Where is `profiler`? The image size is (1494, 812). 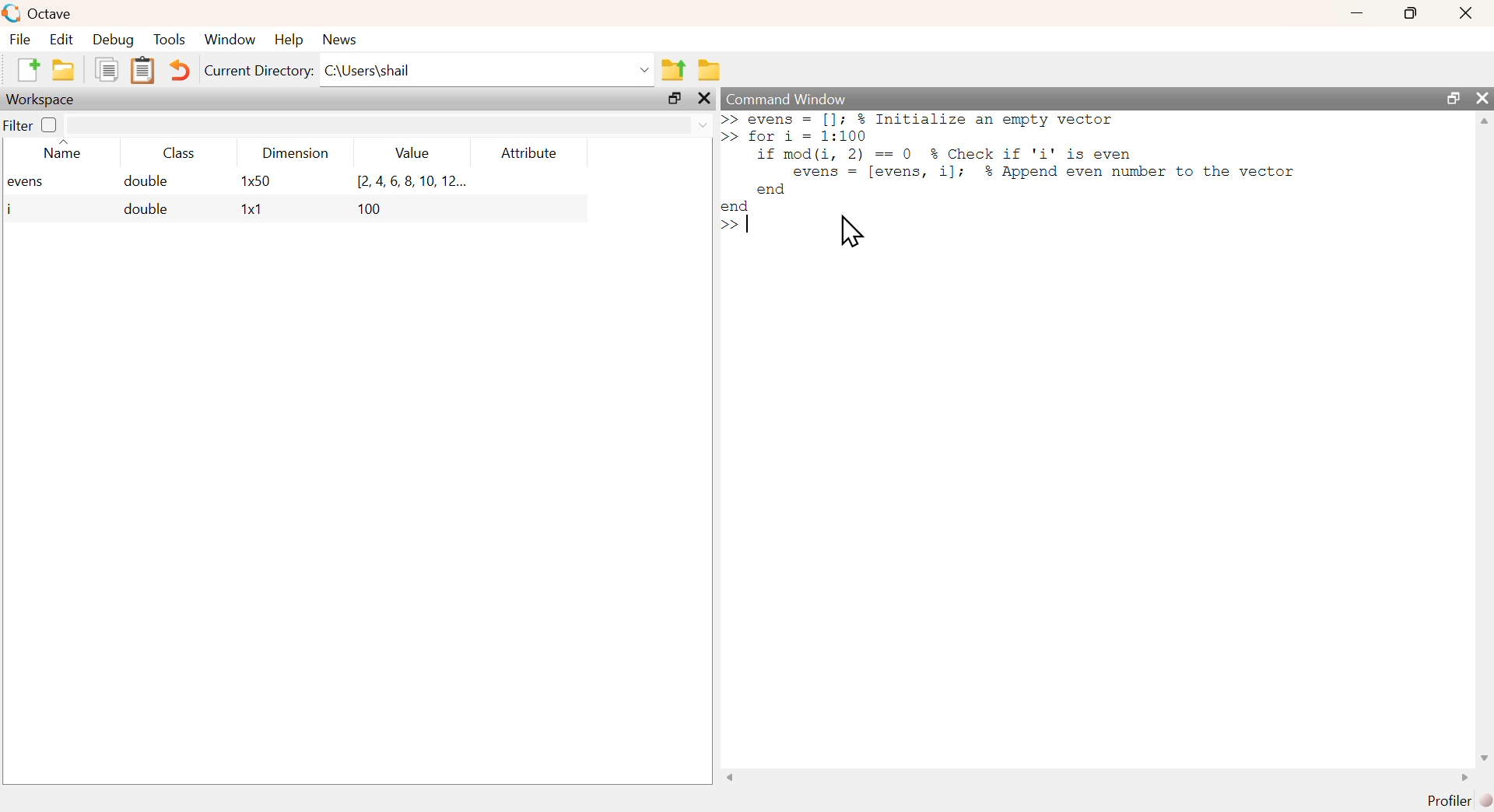 profiler is located at coordinates (1450, 800).